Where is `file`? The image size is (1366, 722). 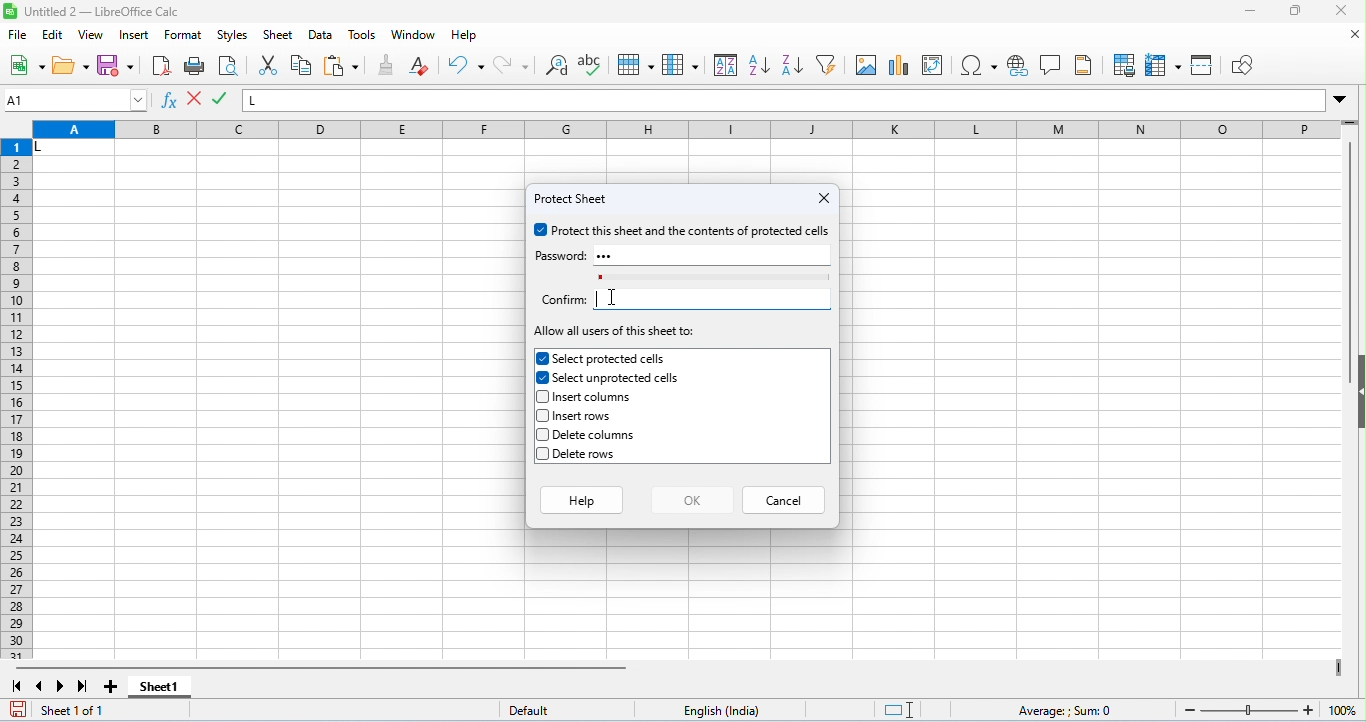
file is located at coordinates (19, 36).